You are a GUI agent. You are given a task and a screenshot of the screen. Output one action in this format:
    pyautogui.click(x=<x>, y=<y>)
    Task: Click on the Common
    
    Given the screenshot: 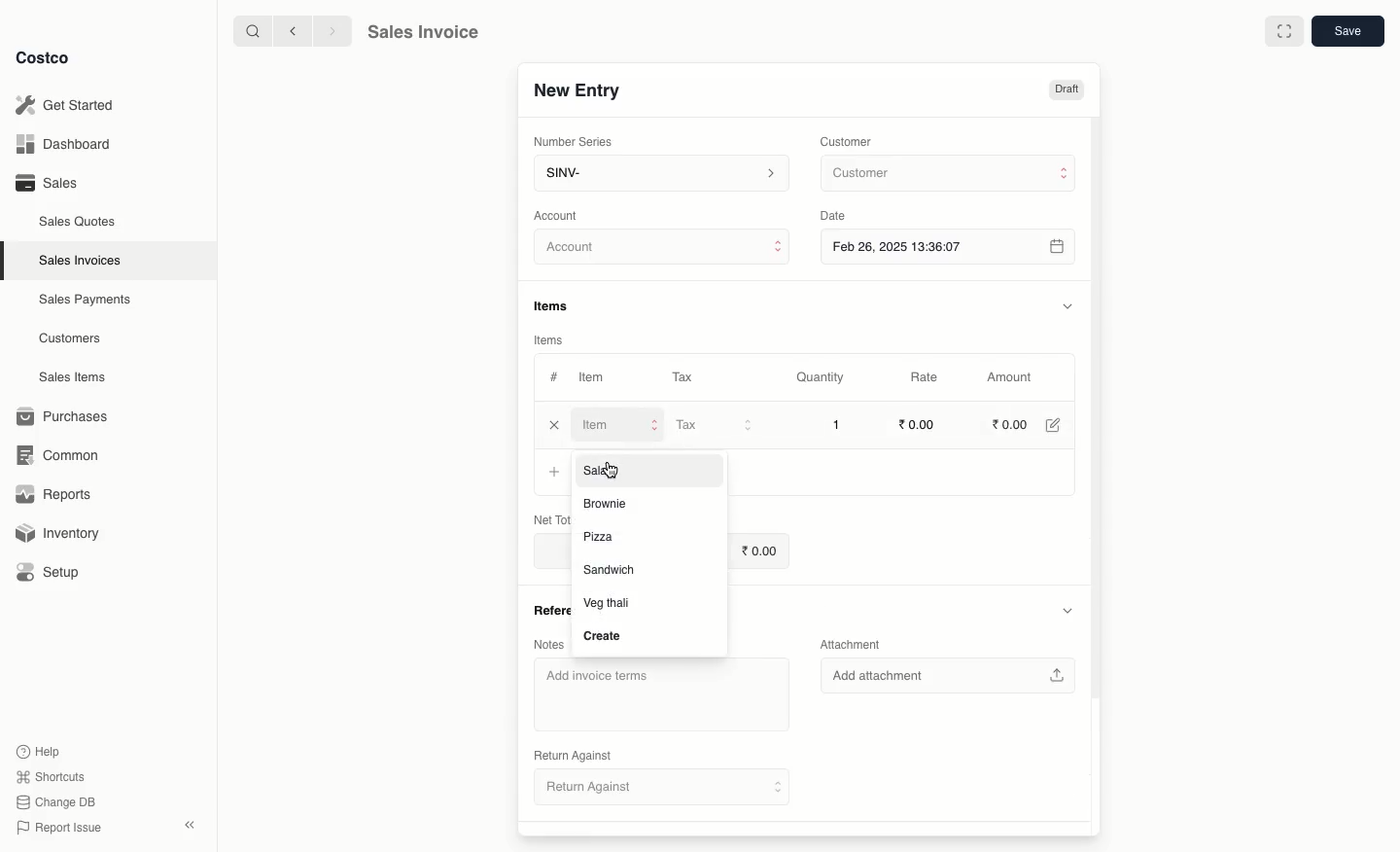 What is the action you would take?
    pyautogui.click(x=66, y=455)
    